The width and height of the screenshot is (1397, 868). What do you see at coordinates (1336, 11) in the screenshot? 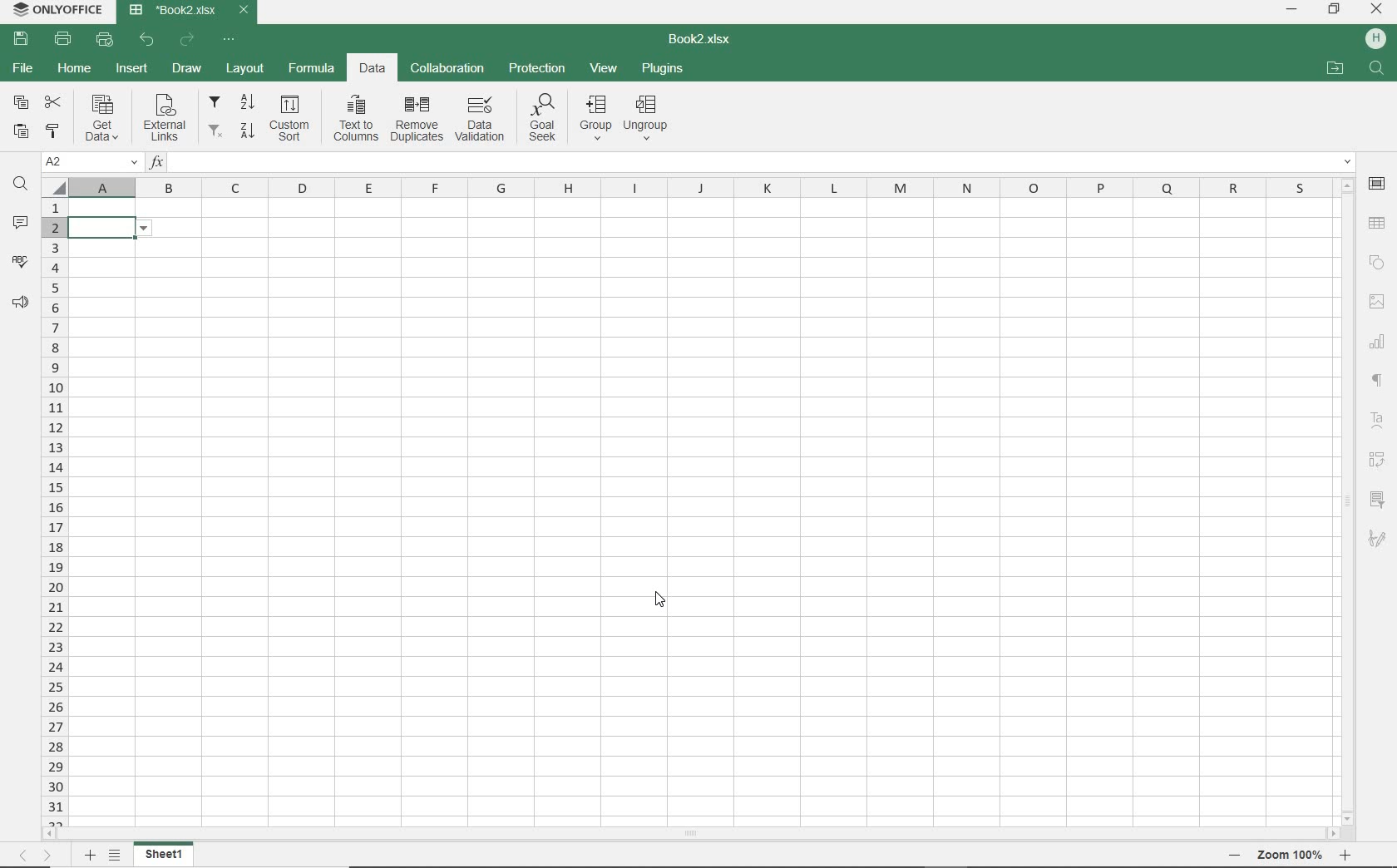
I see `RESTORE DOWN` at bounding box center [1336, 11].